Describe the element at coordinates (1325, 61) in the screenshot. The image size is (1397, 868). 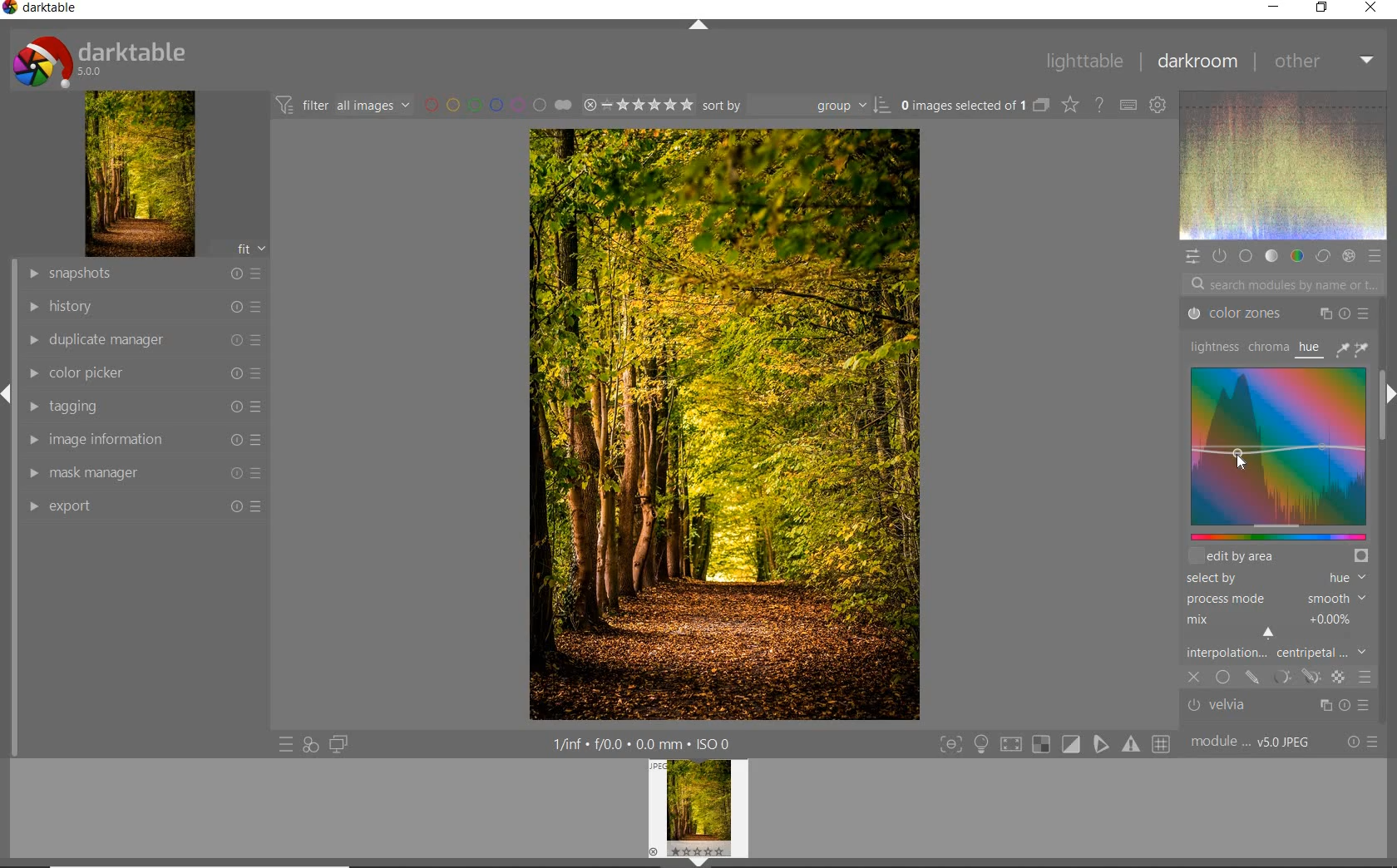
I see `OTHER` at that location.